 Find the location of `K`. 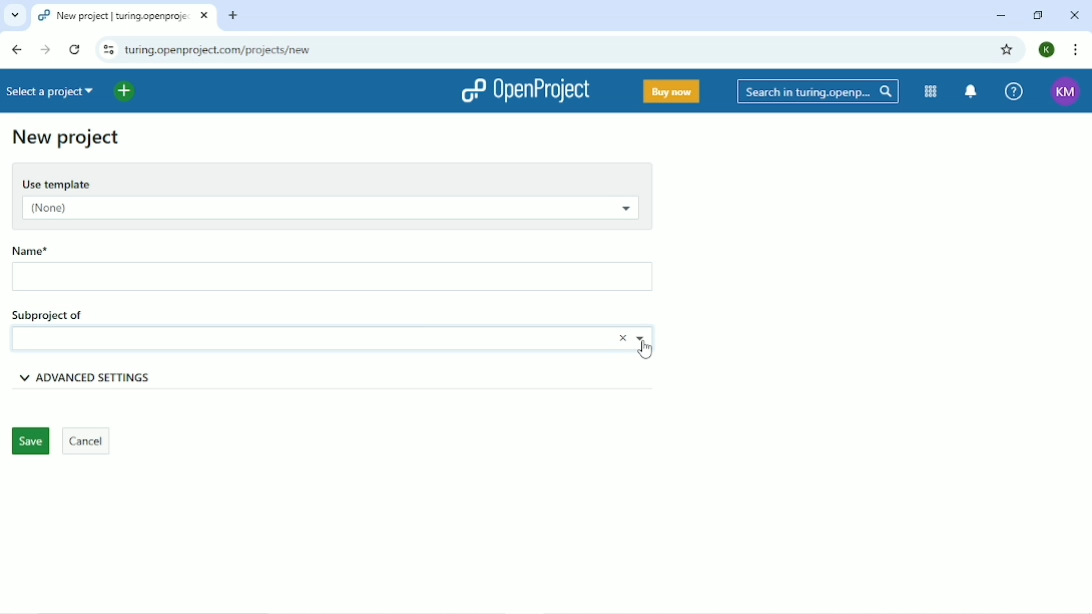

K is located at coordinates (1048, 50).